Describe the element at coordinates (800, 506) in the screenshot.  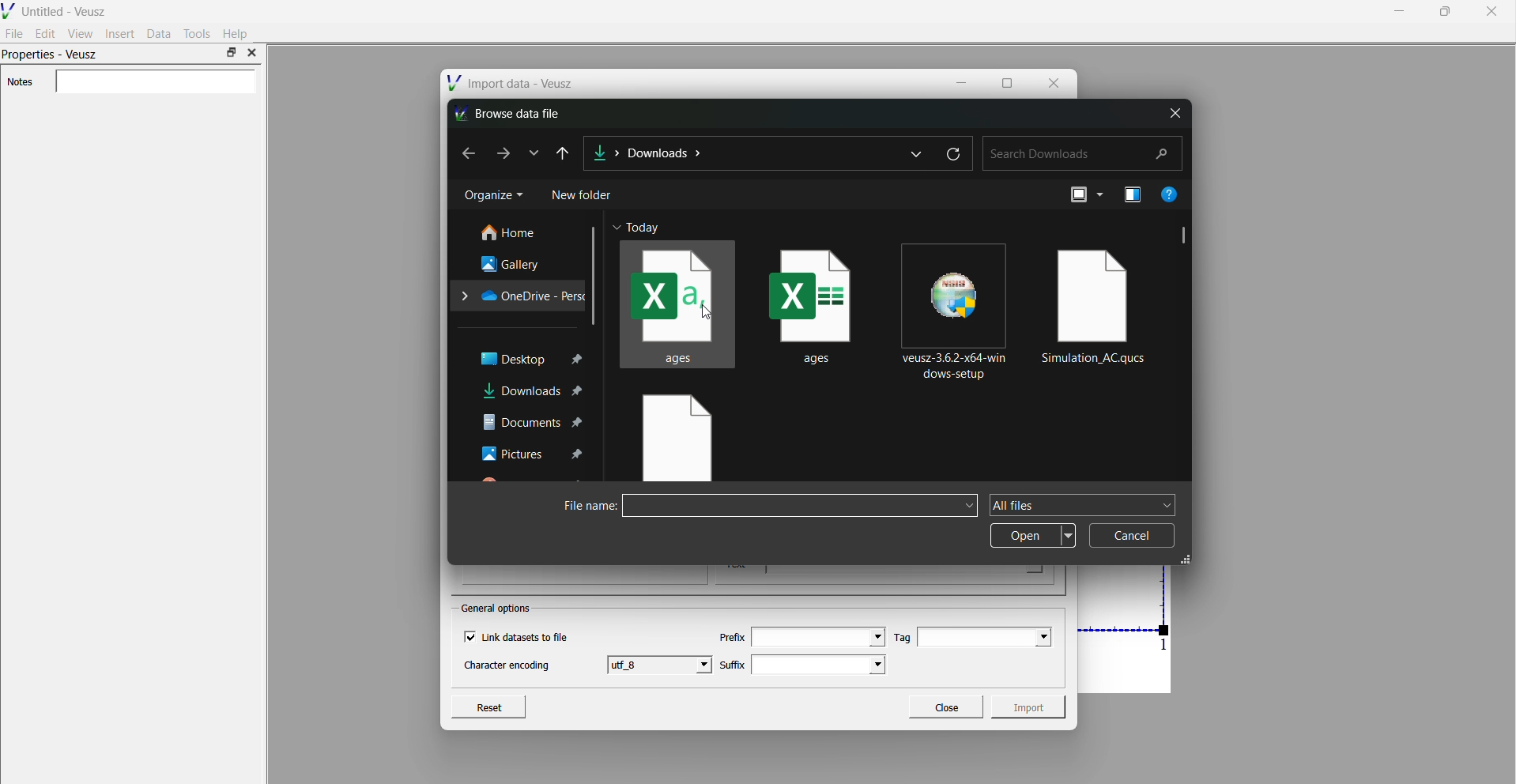
I see `file name field` at that location.